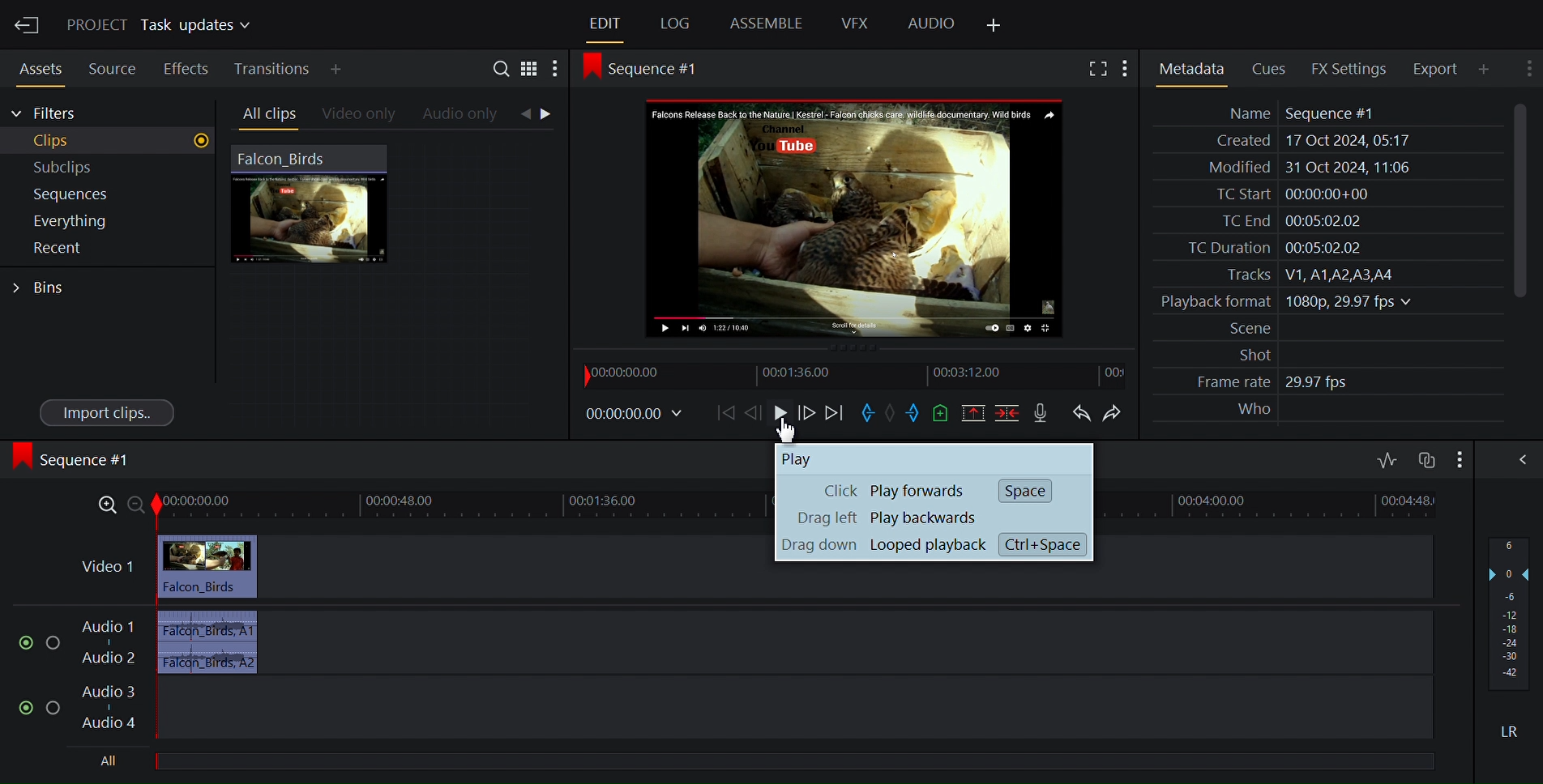 This screenshot has width=1543, height=784. What do you see at coordinates (46, 114) in the screenshot?
I see `Filters` at bounding box center [46, 114].